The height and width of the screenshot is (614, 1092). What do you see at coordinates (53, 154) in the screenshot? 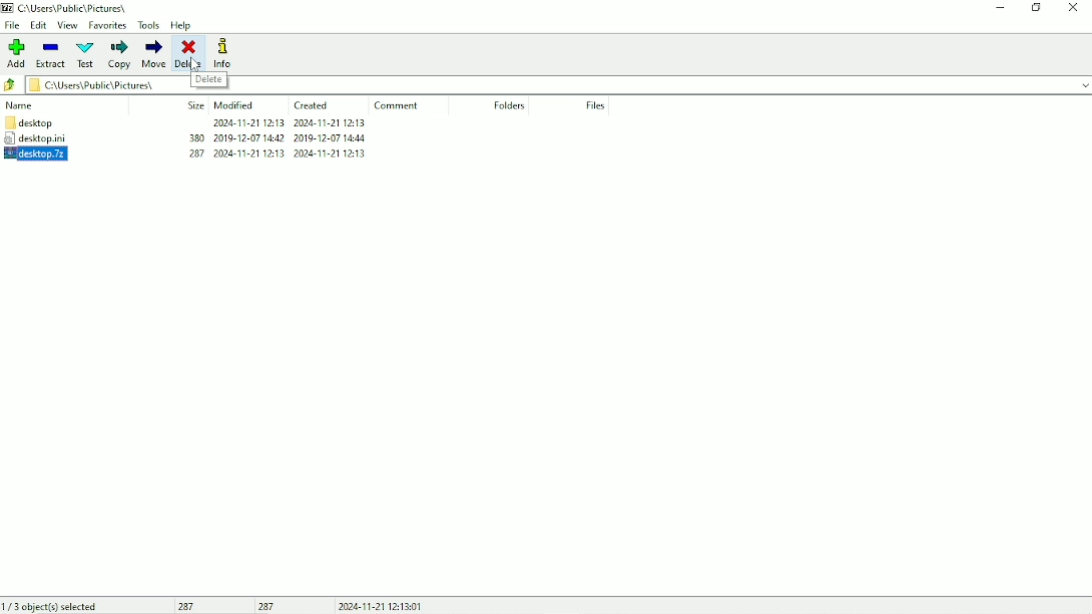
I see `desktop.7z` at bounding box center [53, 154].